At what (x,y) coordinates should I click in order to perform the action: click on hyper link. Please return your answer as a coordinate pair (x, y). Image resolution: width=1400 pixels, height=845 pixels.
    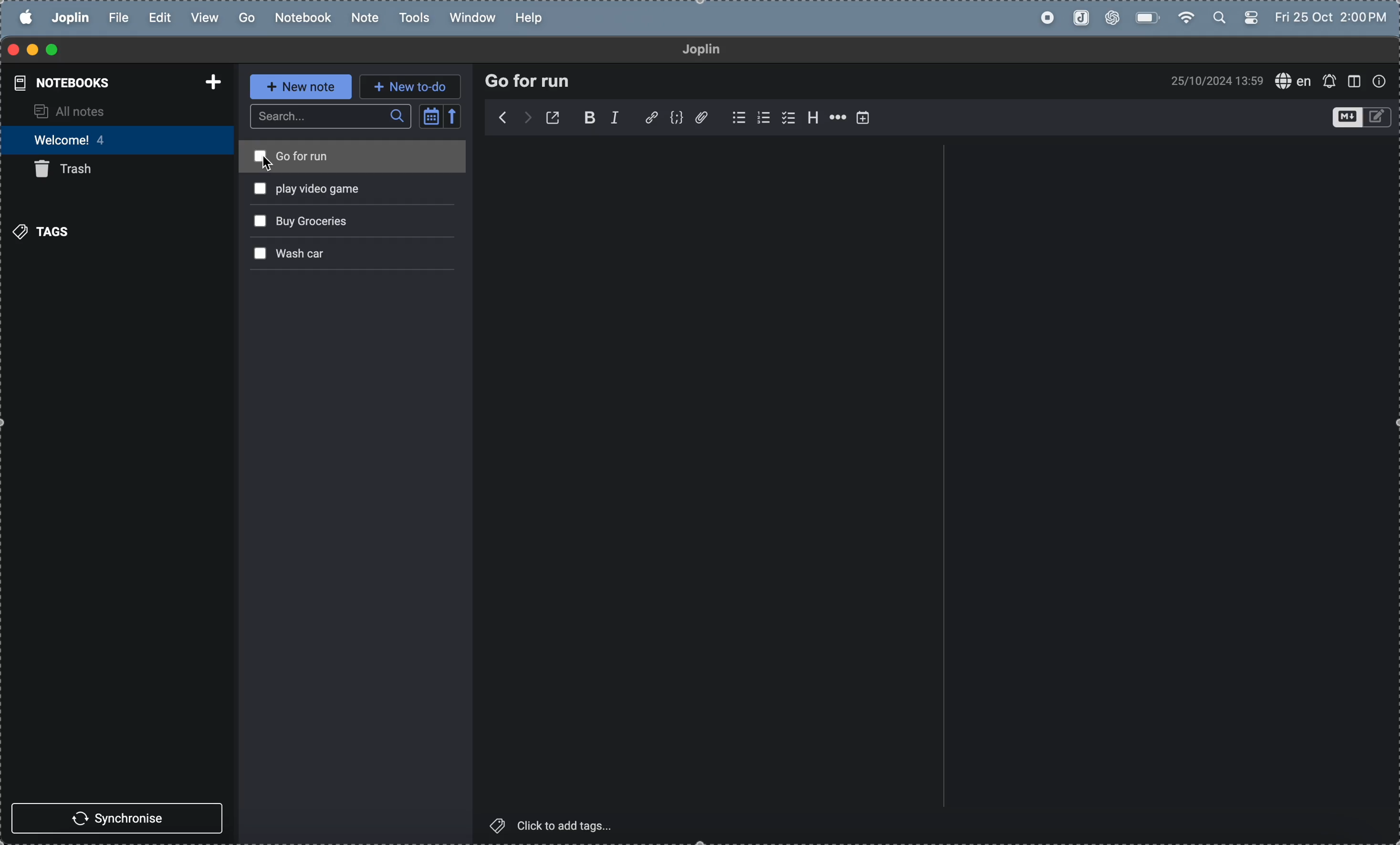
    Looking at the image, I should click on (651, 117).